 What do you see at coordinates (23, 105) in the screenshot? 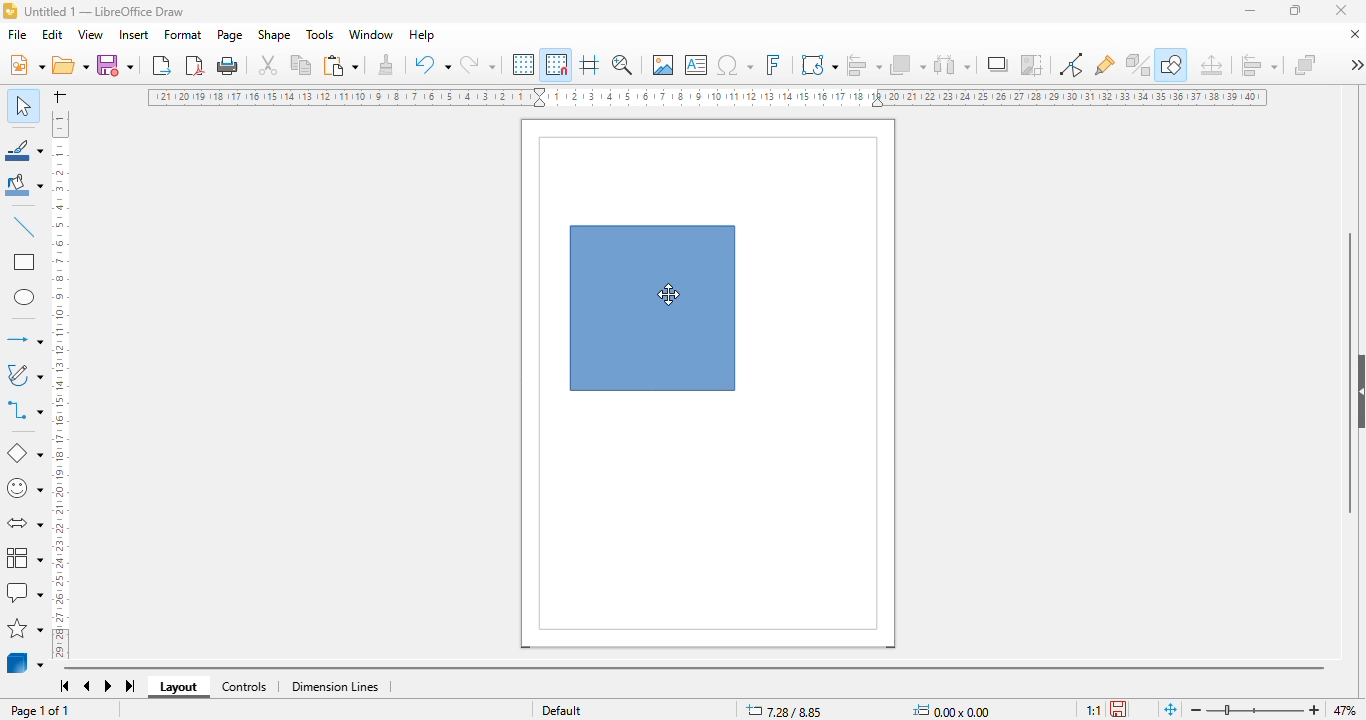
I see `select` at bounding box center [23, 105].